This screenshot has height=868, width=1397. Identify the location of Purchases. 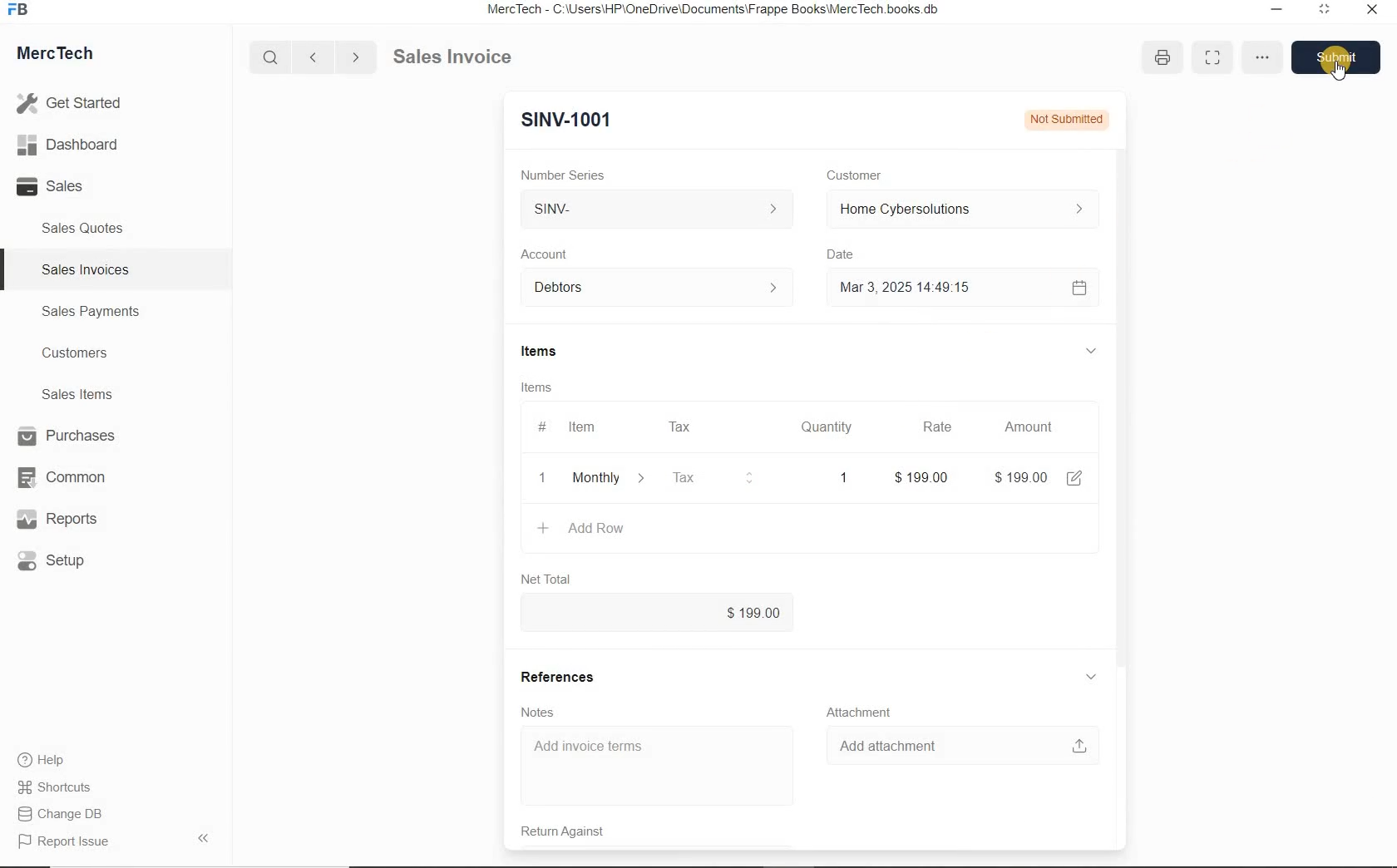
(69, 437).